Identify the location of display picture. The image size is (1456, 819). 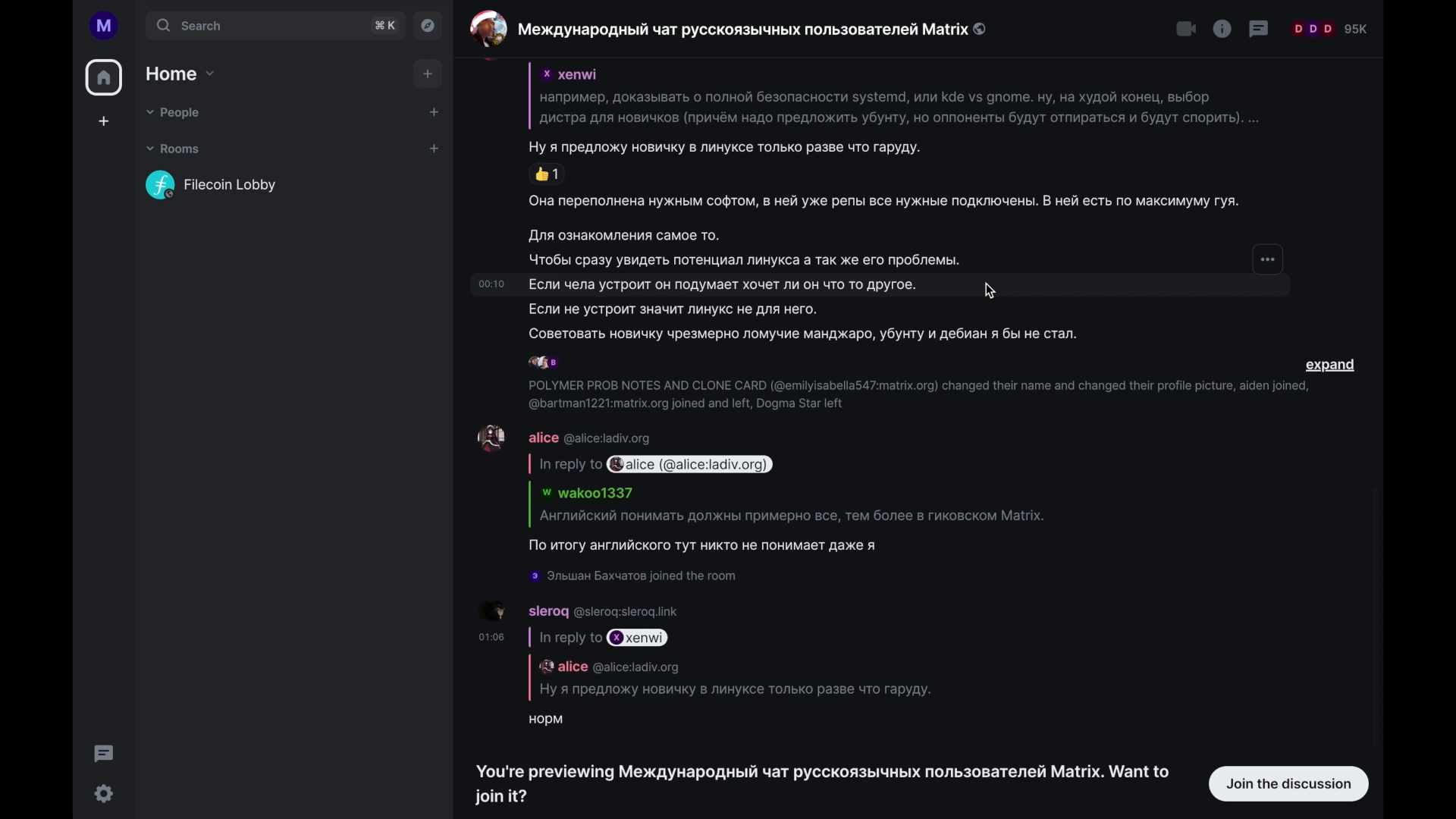
(488, 29).